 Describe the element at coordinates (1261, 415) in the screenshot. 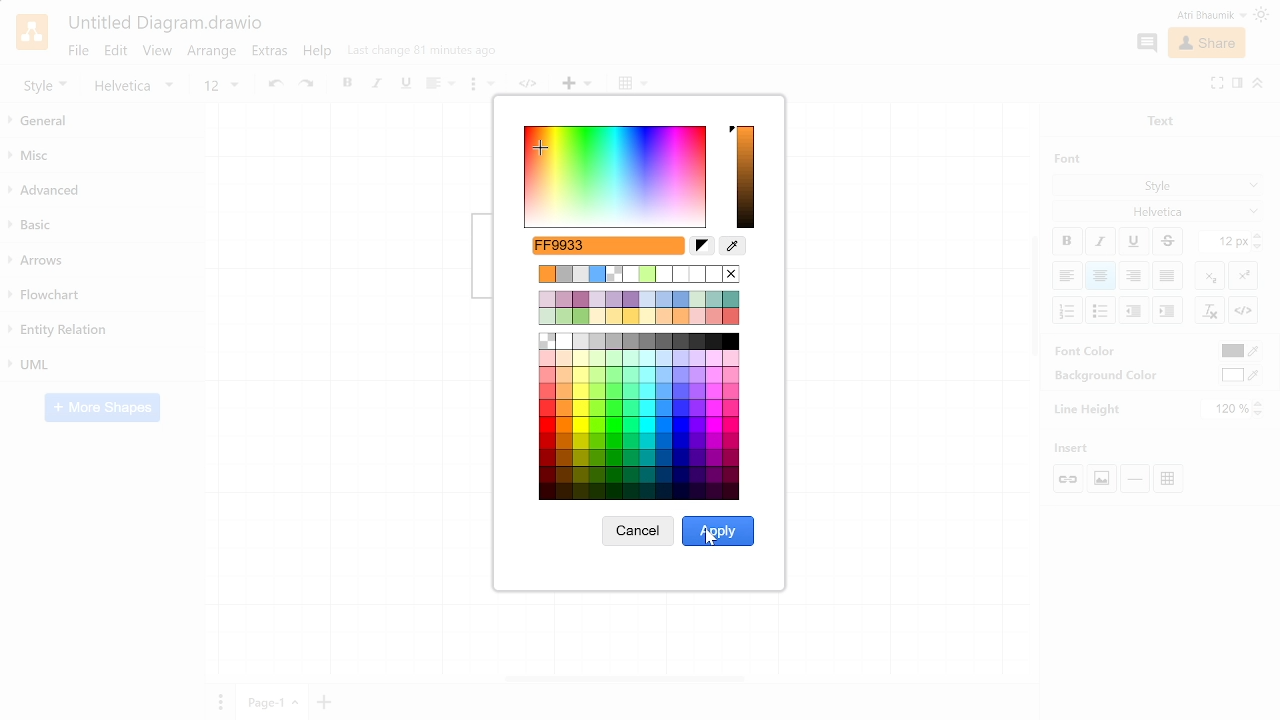

I see `Decrease line height` at that location.